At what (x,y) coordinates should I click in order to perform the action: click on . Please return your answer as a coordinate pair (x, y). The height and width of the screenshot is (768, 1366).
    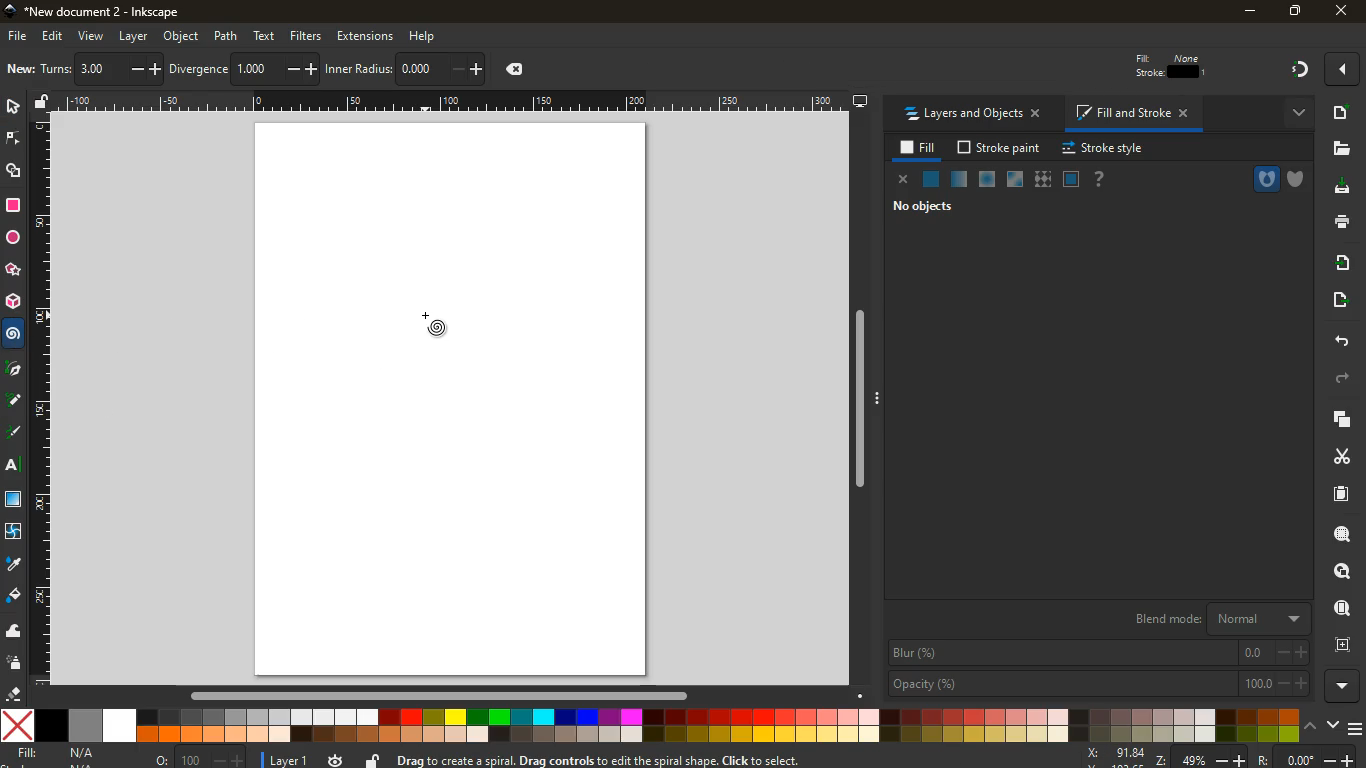
    Looking at the image, I should click on (452, 102).